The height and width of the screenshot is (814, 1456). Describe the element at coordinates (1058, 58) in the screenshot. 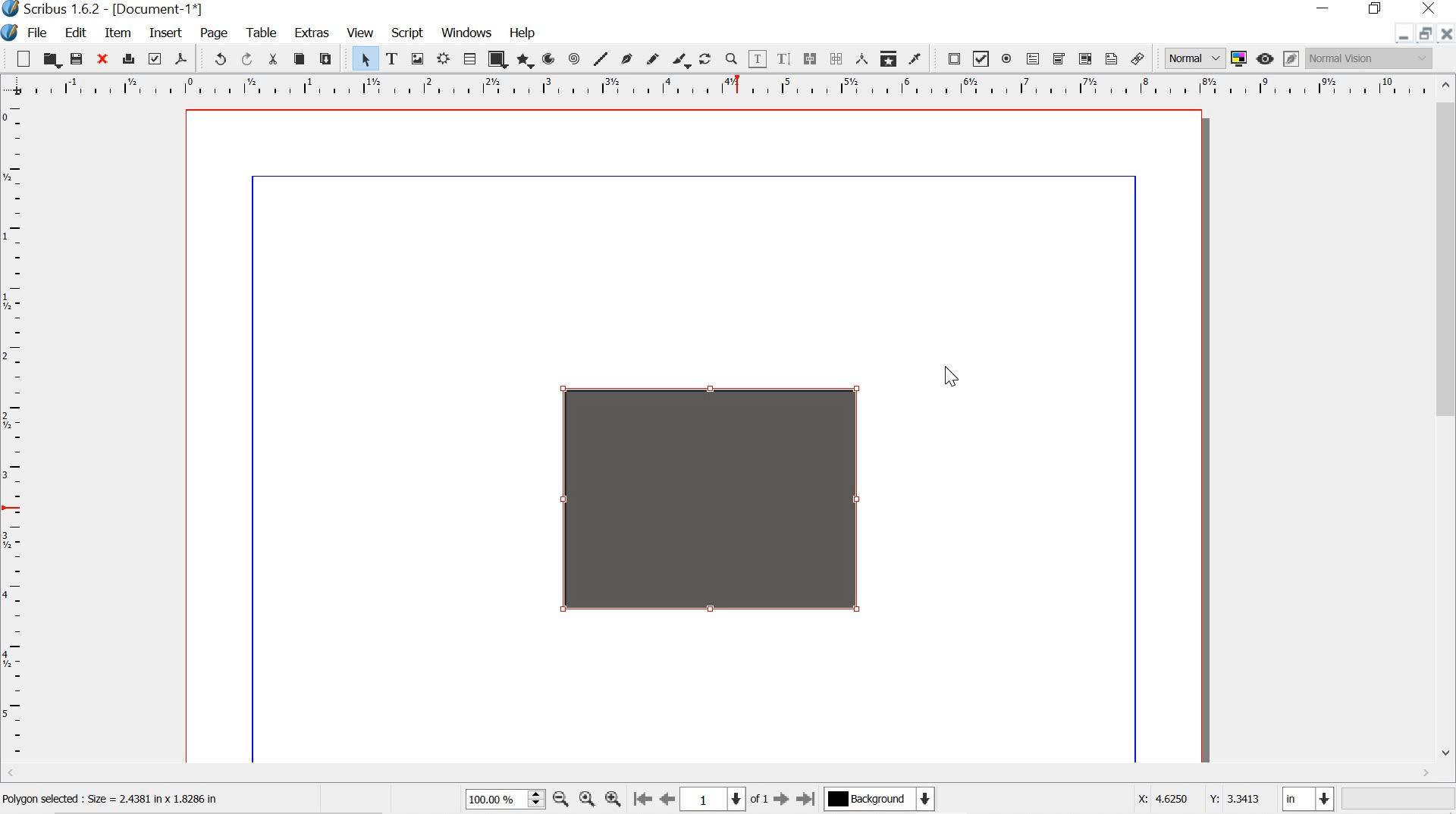

I see `pdf combo box` at that location.